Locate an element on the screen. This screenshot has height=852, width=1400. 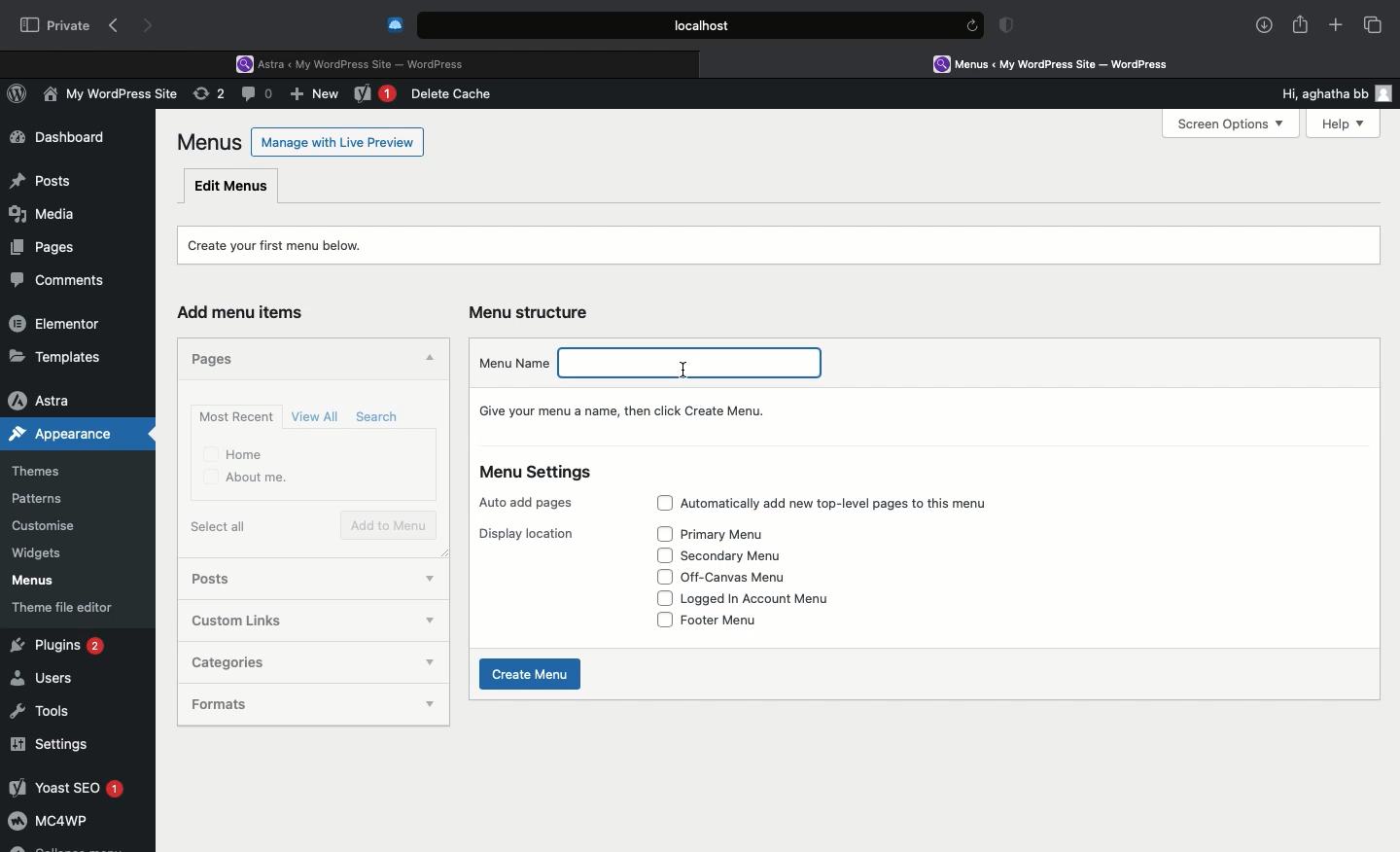
Show is located at coordinates (428, 663).